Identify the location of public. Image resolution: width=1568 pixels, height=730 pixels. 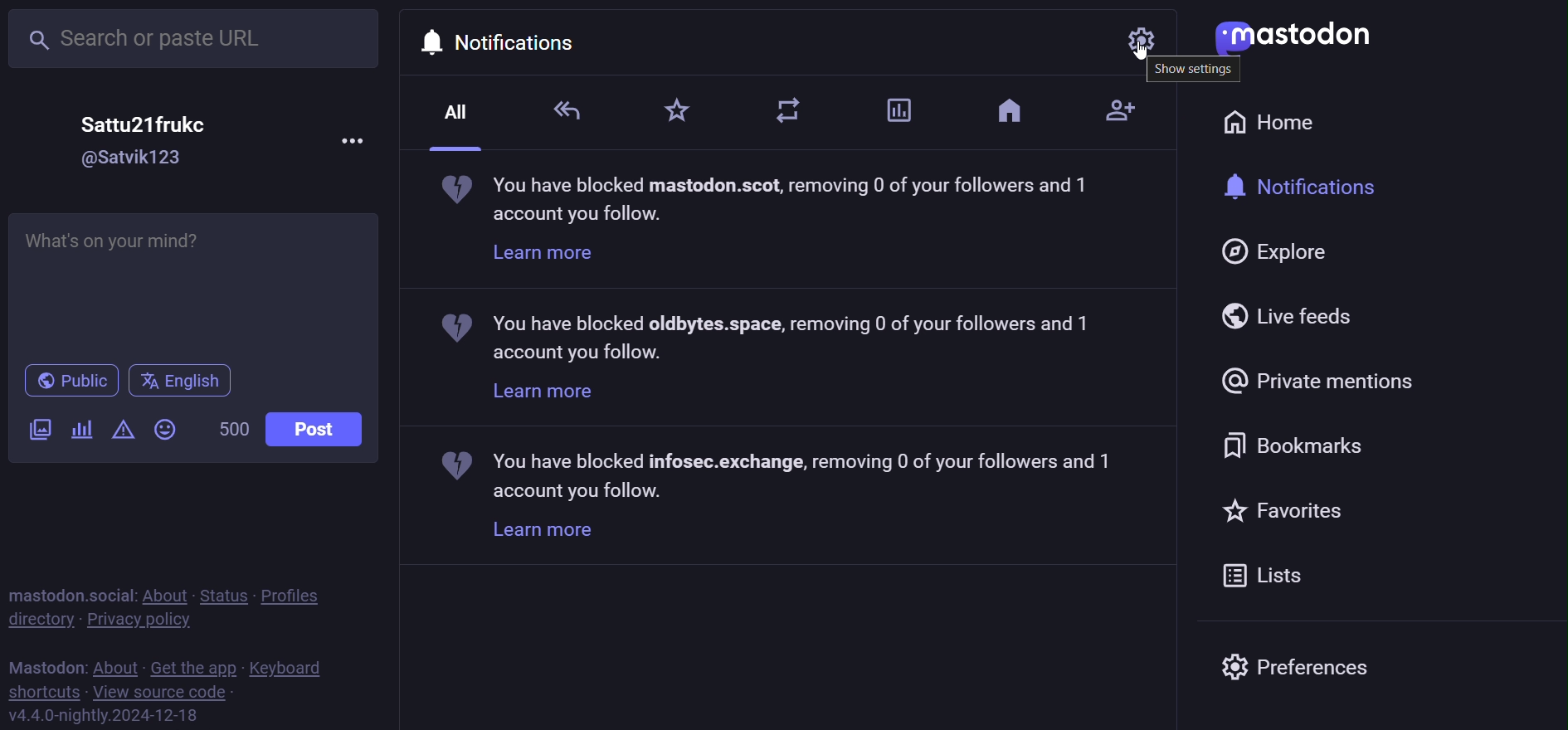
(67, 381).